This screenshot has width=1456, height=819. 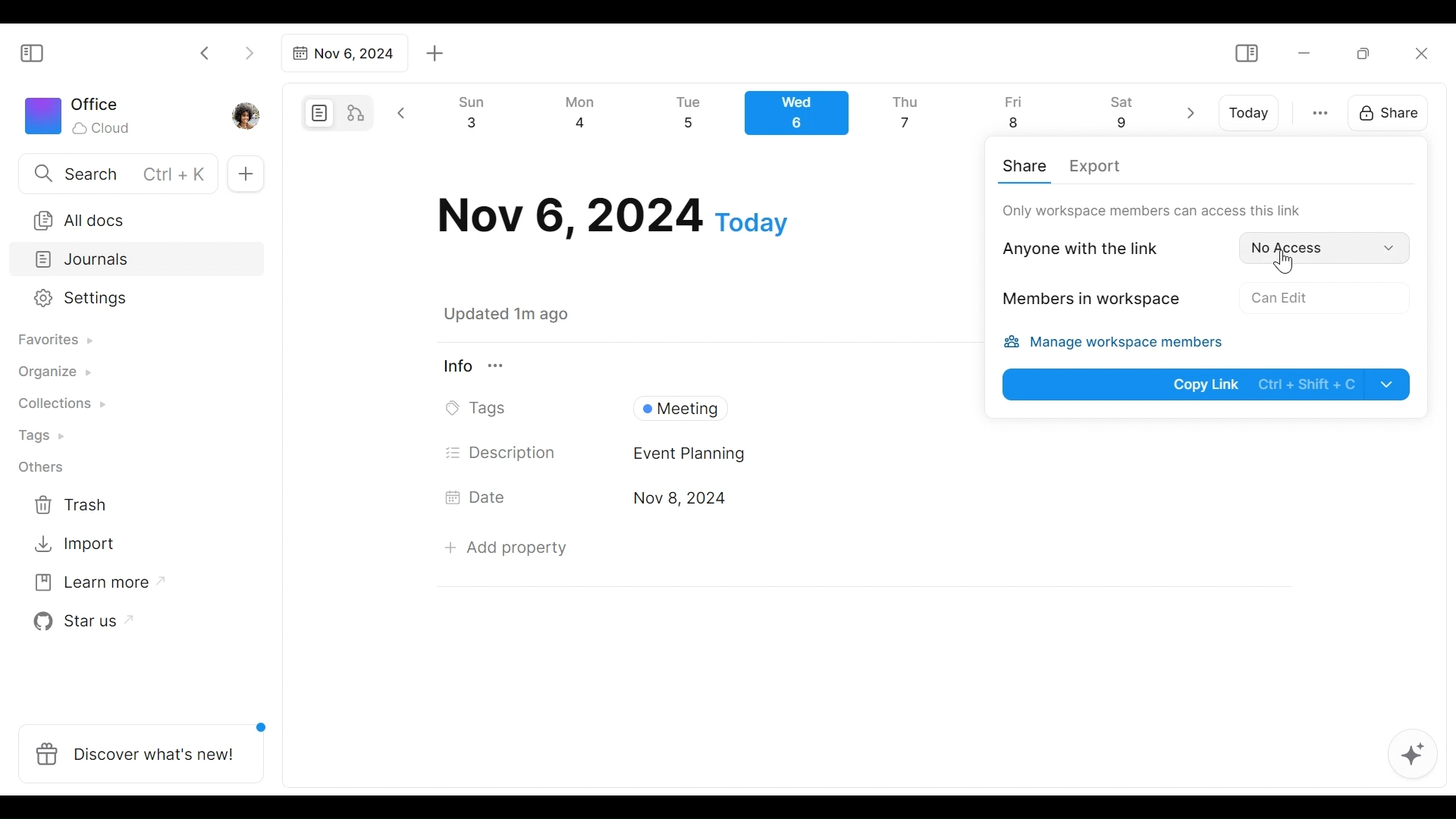 What do you see at coordinates (54, 340) in the screenshot?
I see `Favorites` at bounding box center [54, 340].